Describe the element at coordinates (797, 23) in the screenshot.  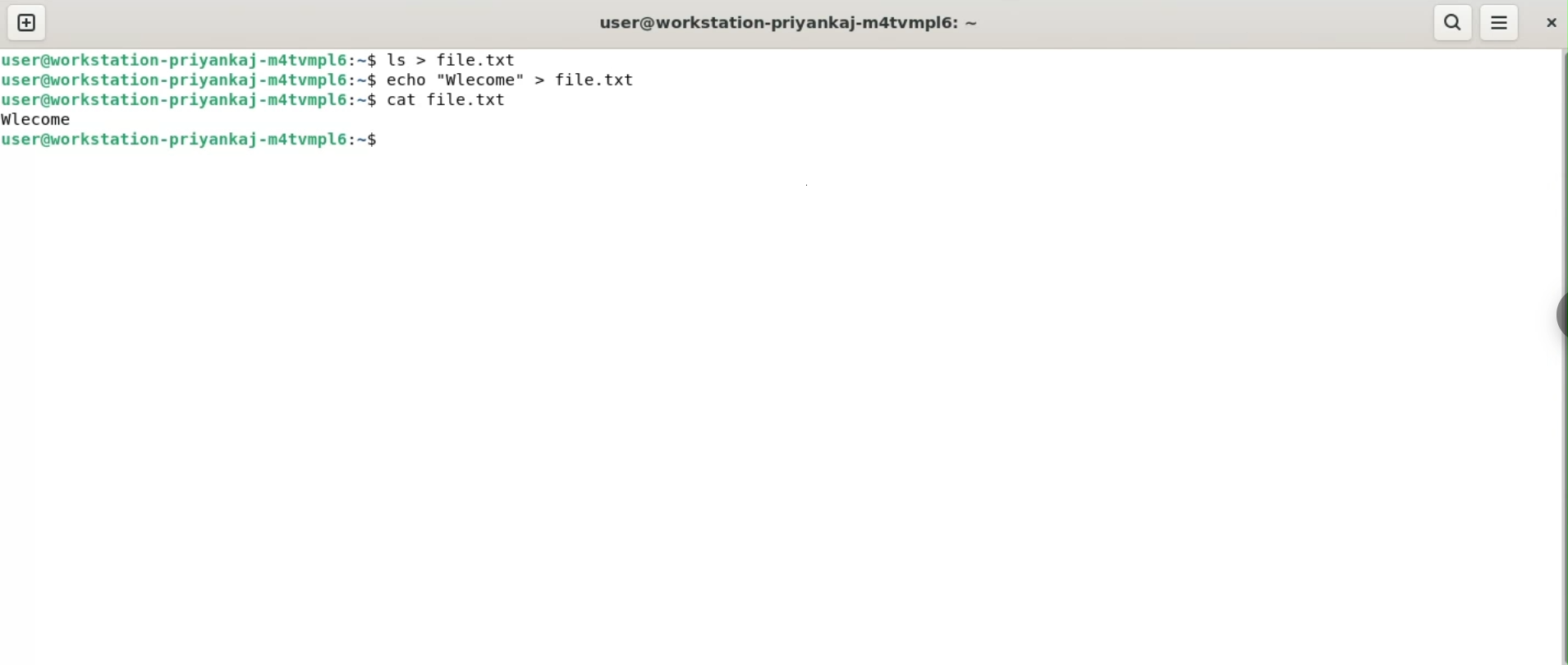
I see `user@workstation-priyankaj-m4tvmpl6: ~` at that location.